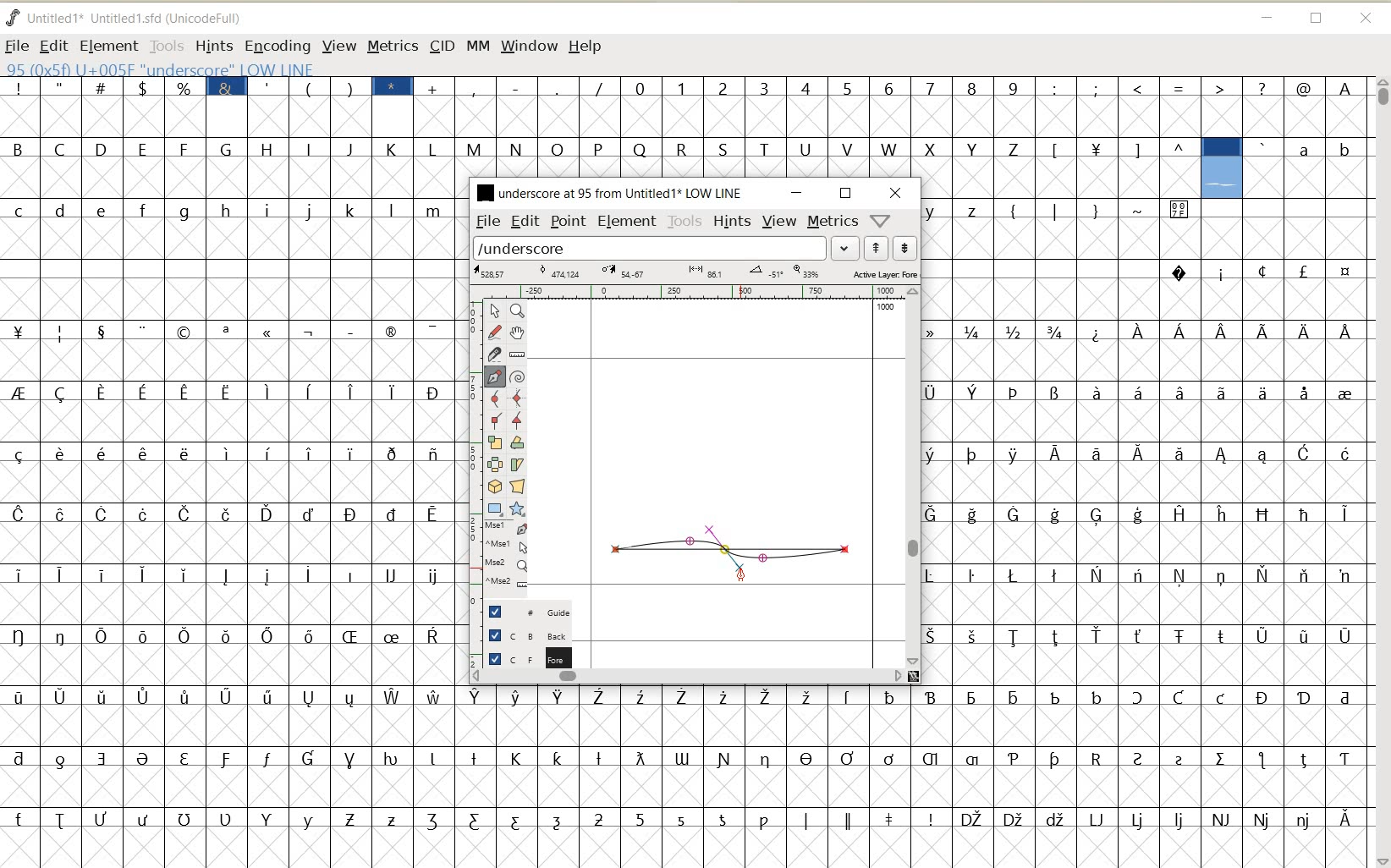  Describe the element at coordinates (52, 47) in the screenshot. I see `EDIT` at that location.